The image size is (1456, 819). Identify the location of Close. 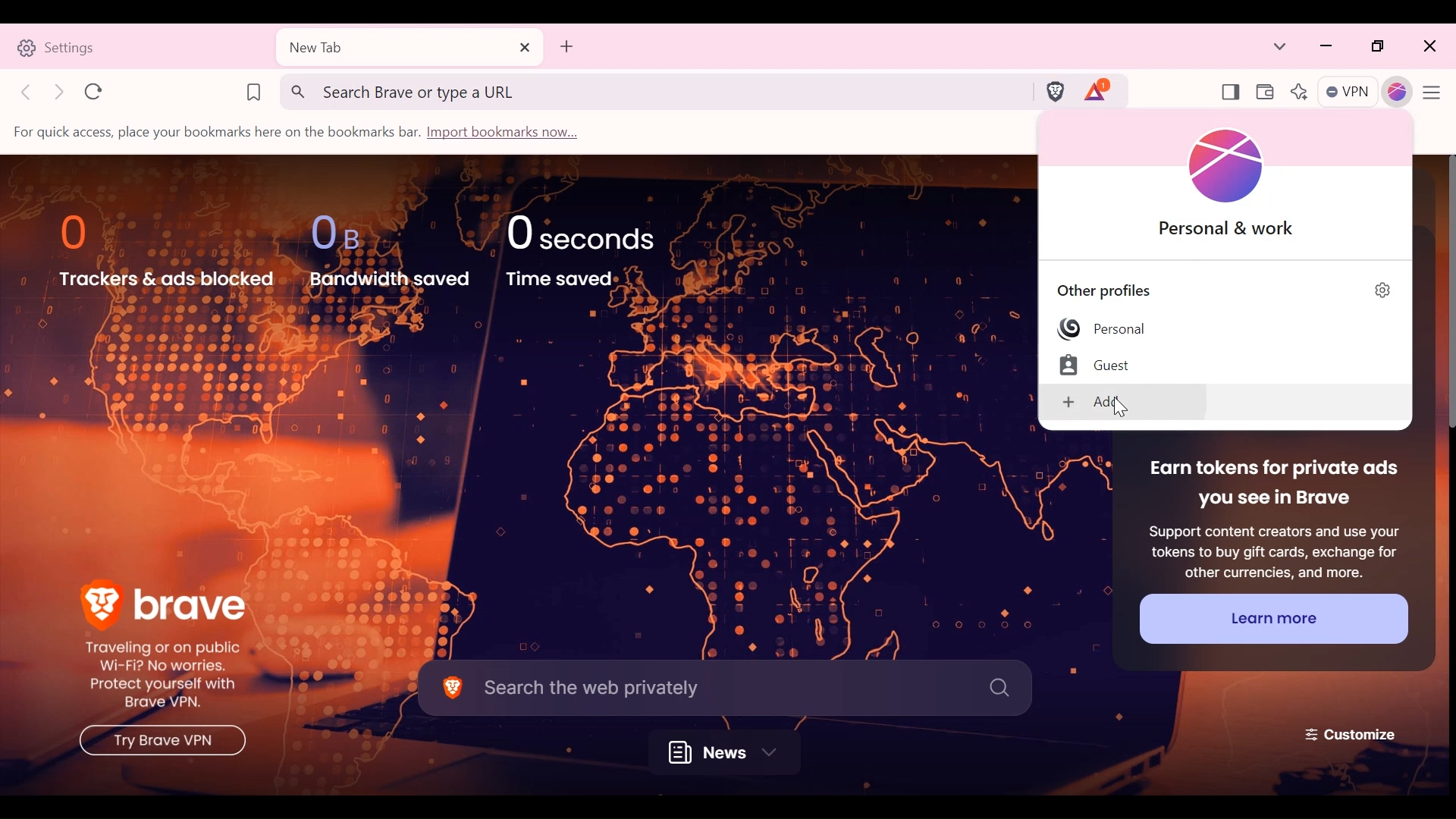
(1428, 47).